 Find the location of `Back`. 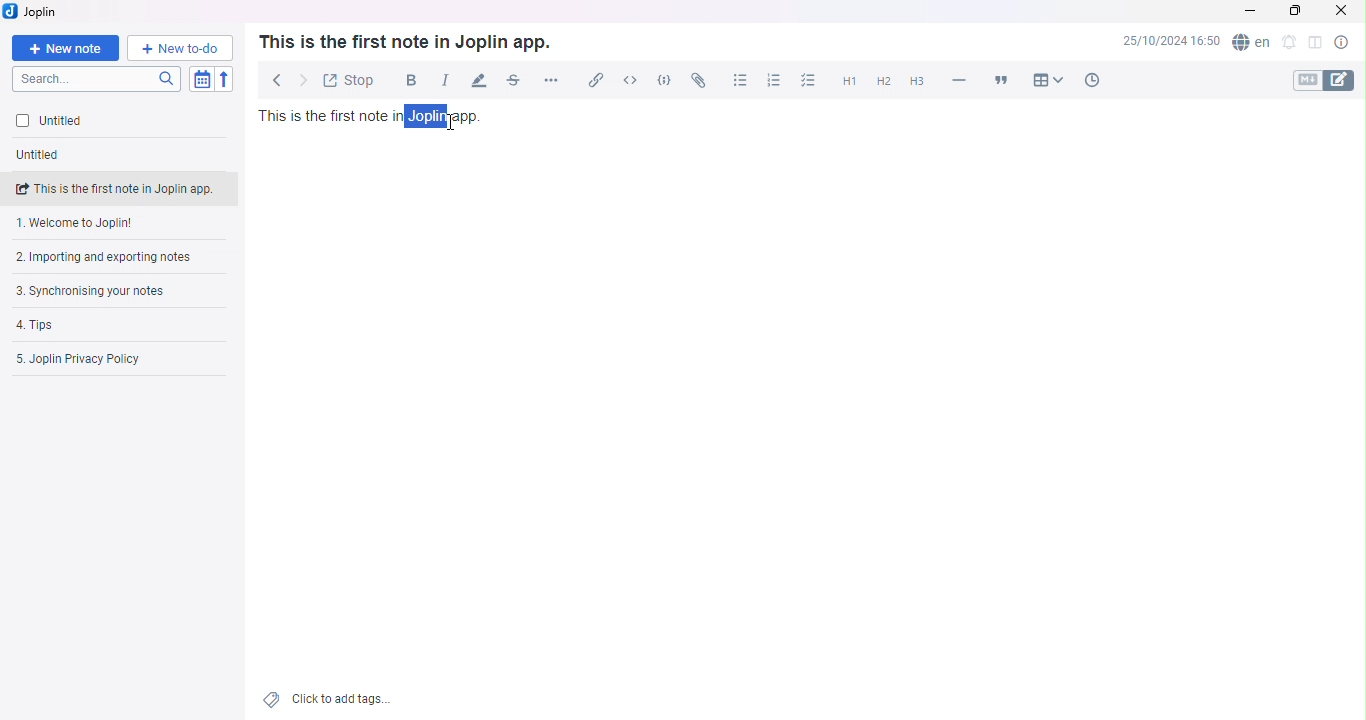

Back is located at coordinates (272, 76).